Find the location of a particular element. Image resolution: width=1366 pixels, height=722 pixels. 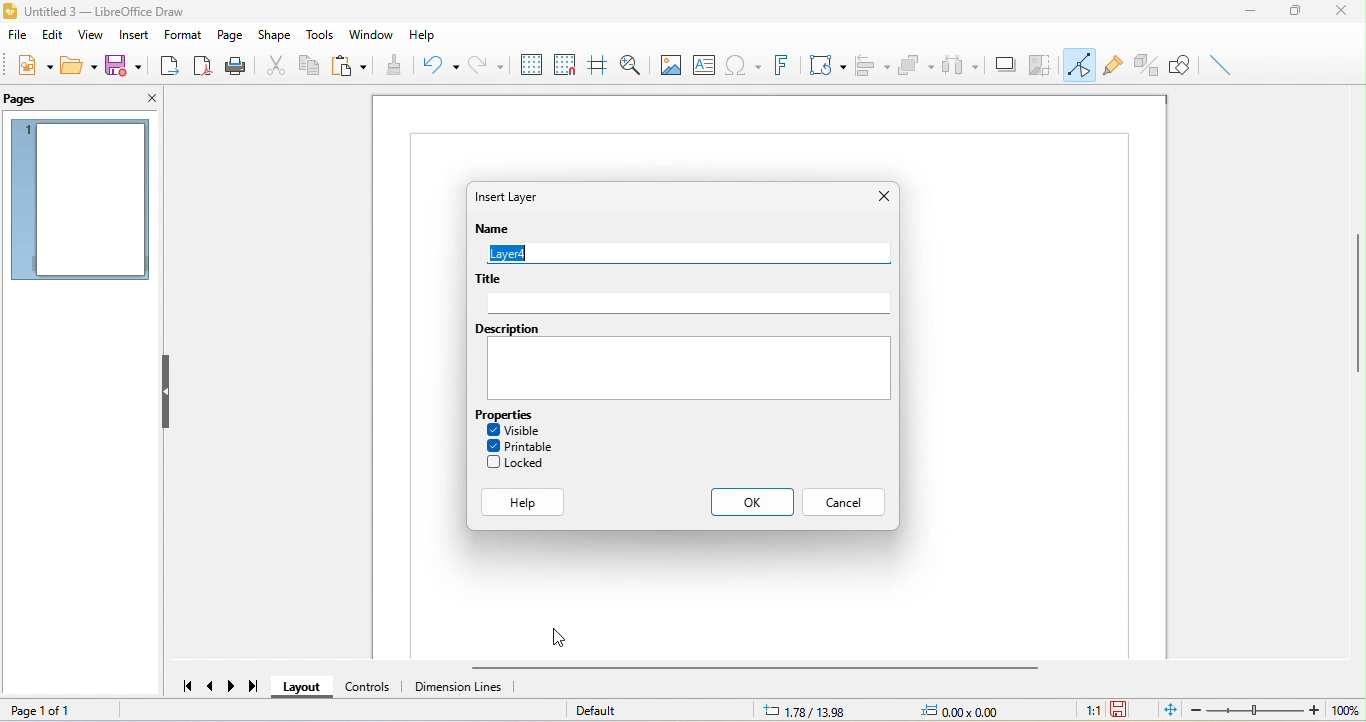

display to grid is located at coordinates (532, 63).